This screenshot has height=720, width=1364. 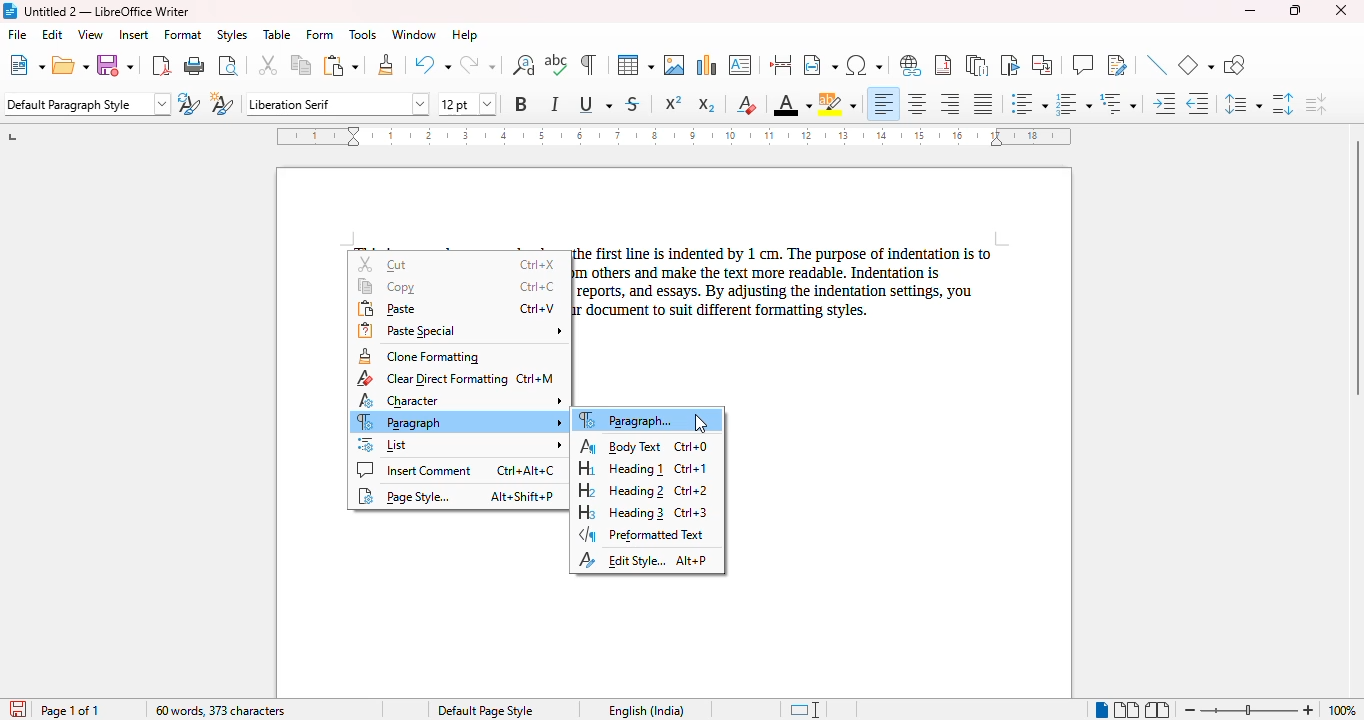 I want to click on find and replace, so click(x=523, y=64).